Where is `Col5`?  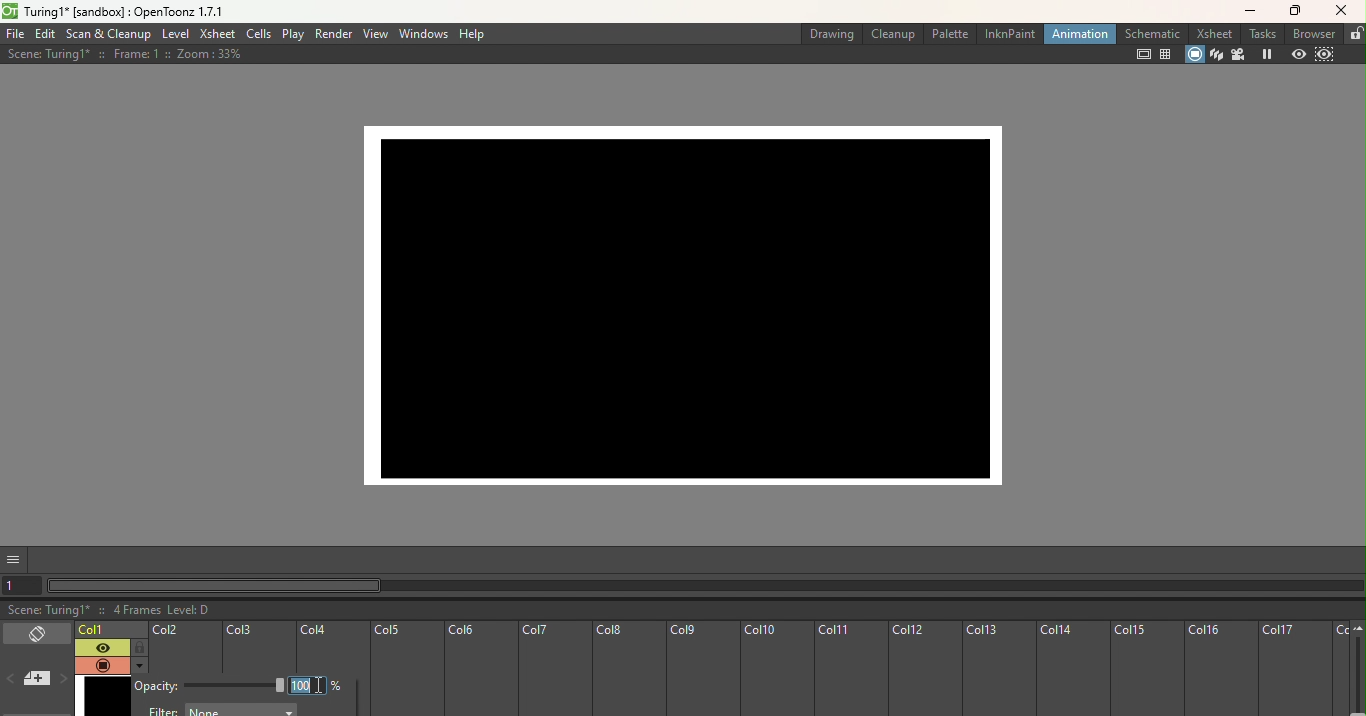
Col5 is located at coordinates (405, 670).